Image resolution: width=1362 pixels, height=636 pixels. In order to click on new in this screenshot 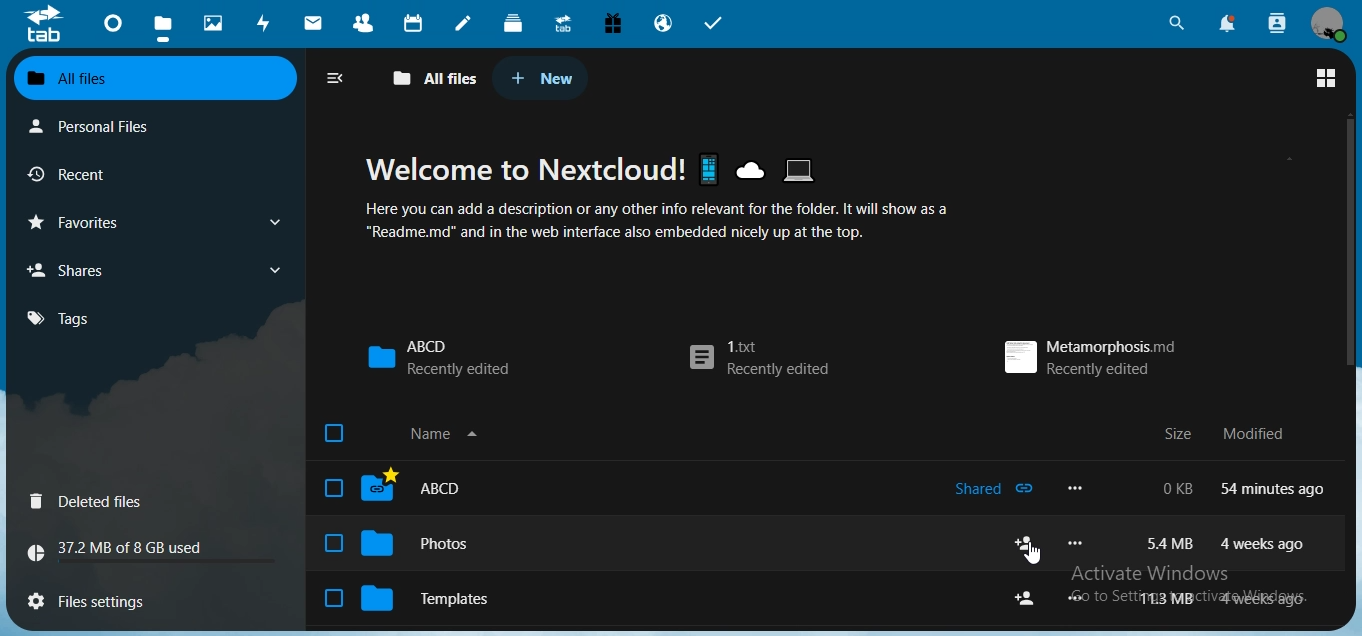, I will do `click(542, 78)`.